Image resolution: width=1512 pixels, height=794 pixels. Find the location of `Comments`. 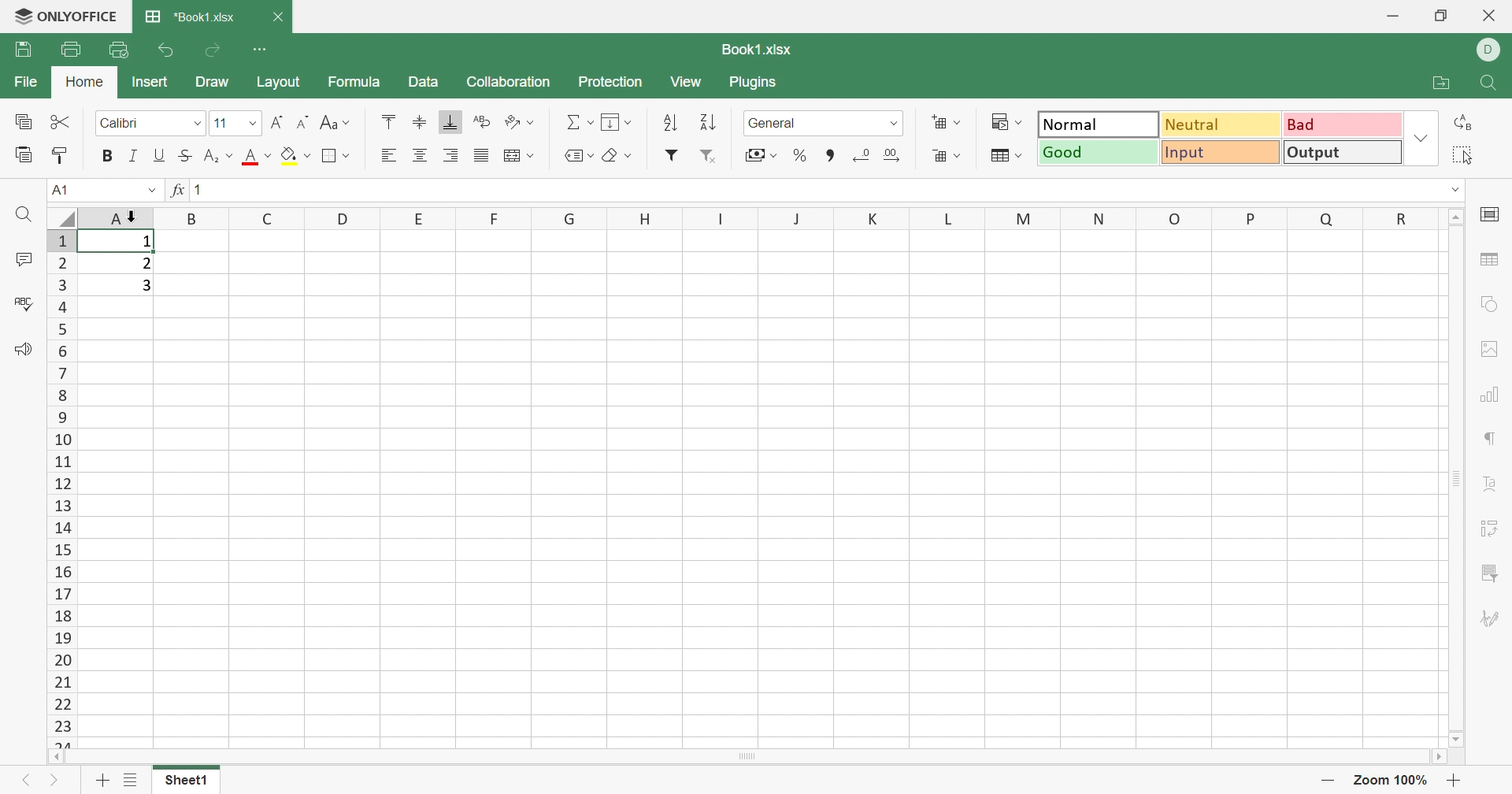

Comments is located at coordinates (27, 260).